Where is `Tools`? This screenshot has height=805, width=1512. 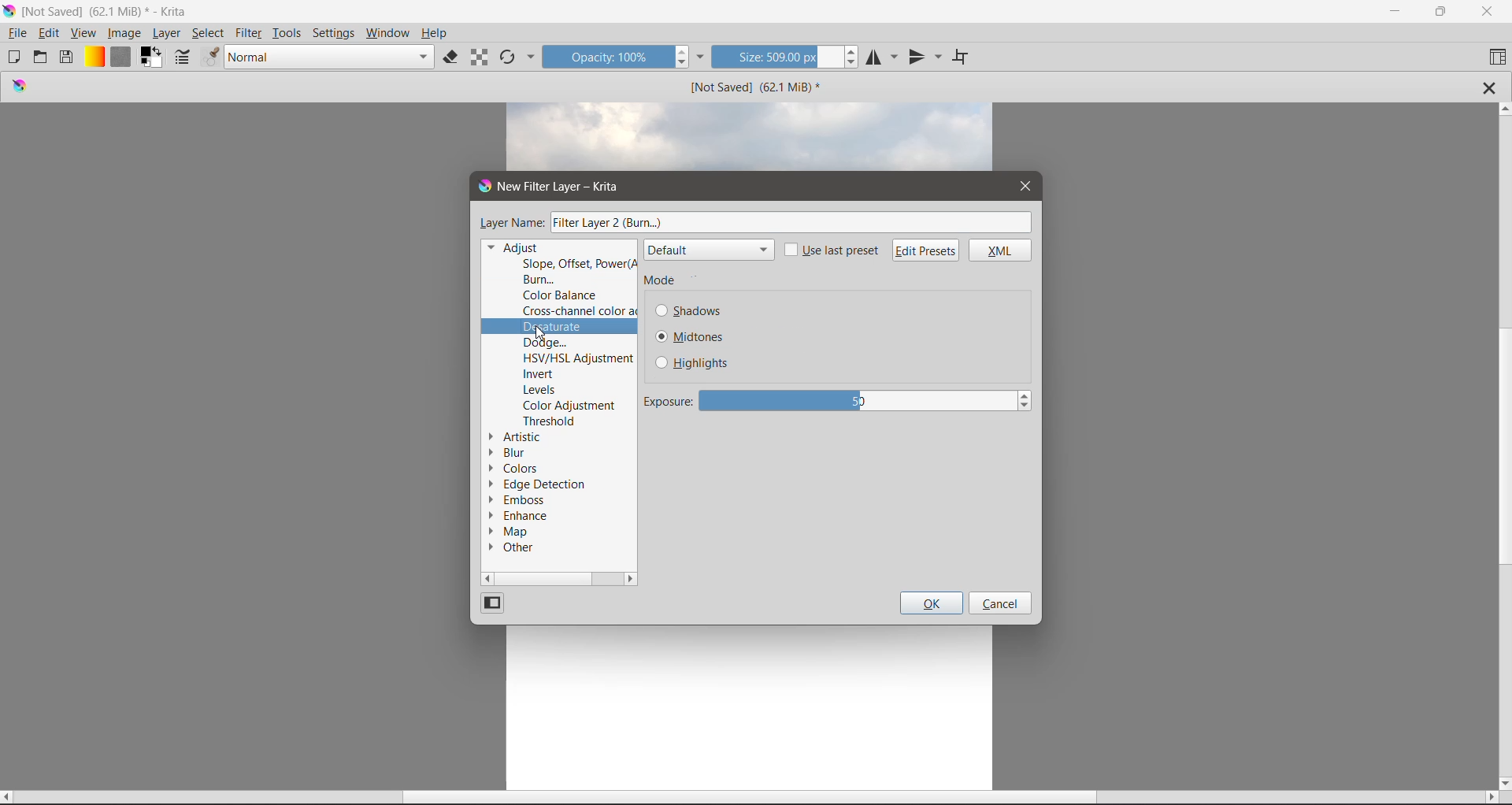
Tools is located at coordinates (289, 31).